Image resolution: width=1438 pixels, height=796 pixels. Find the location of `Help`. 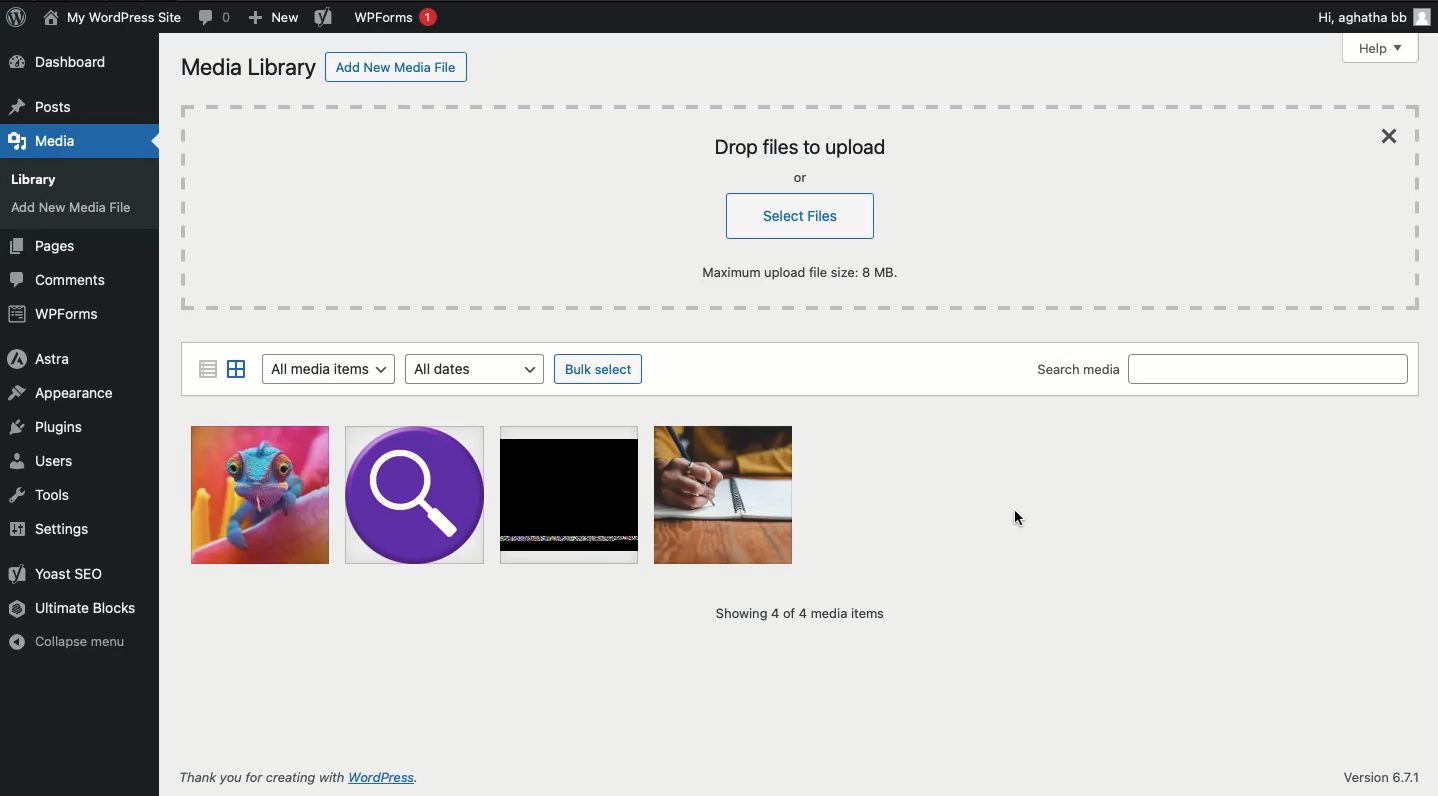

Help is located at coordinates (1382, 48).